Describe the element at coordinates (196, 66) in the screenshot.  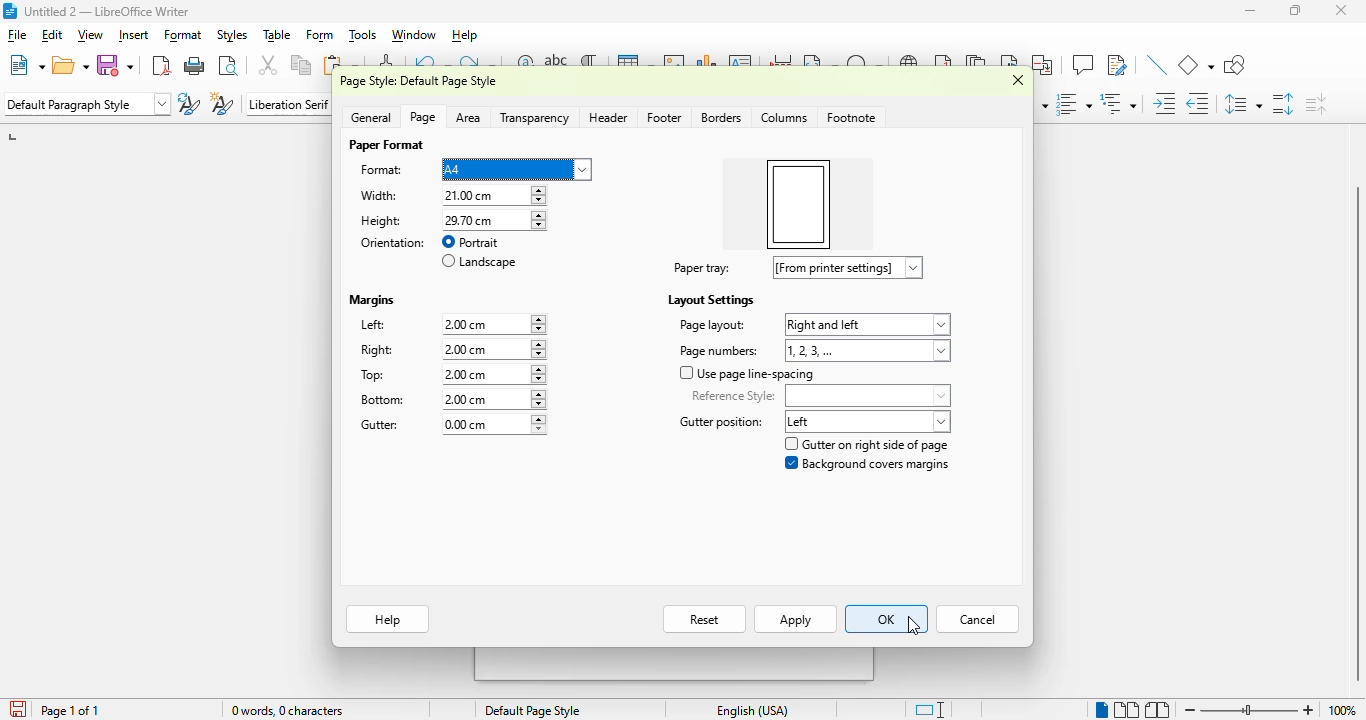
I see `print` at that location.